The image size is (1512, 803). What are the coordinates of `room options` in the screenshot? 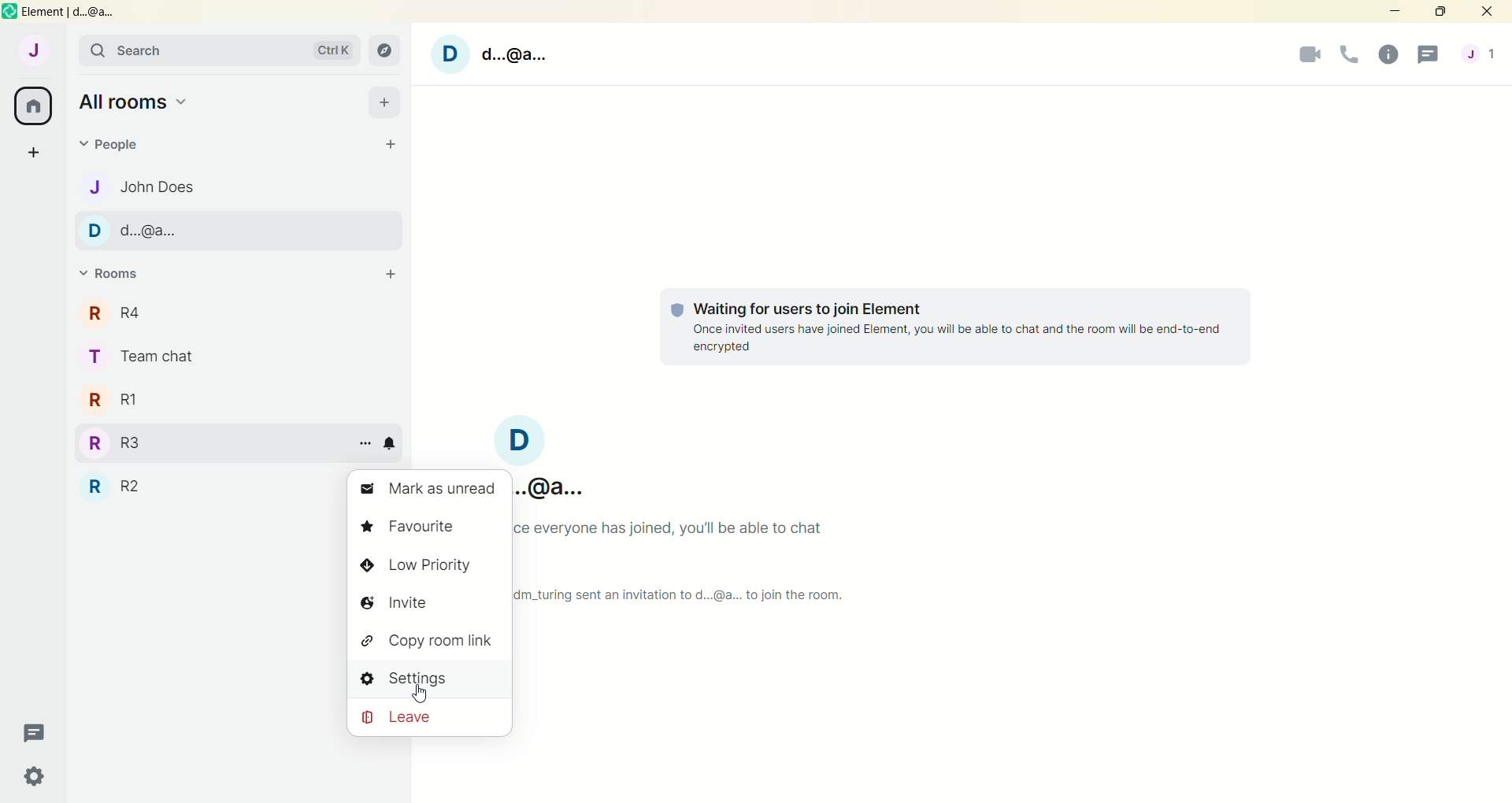 It's located at (369, 442).